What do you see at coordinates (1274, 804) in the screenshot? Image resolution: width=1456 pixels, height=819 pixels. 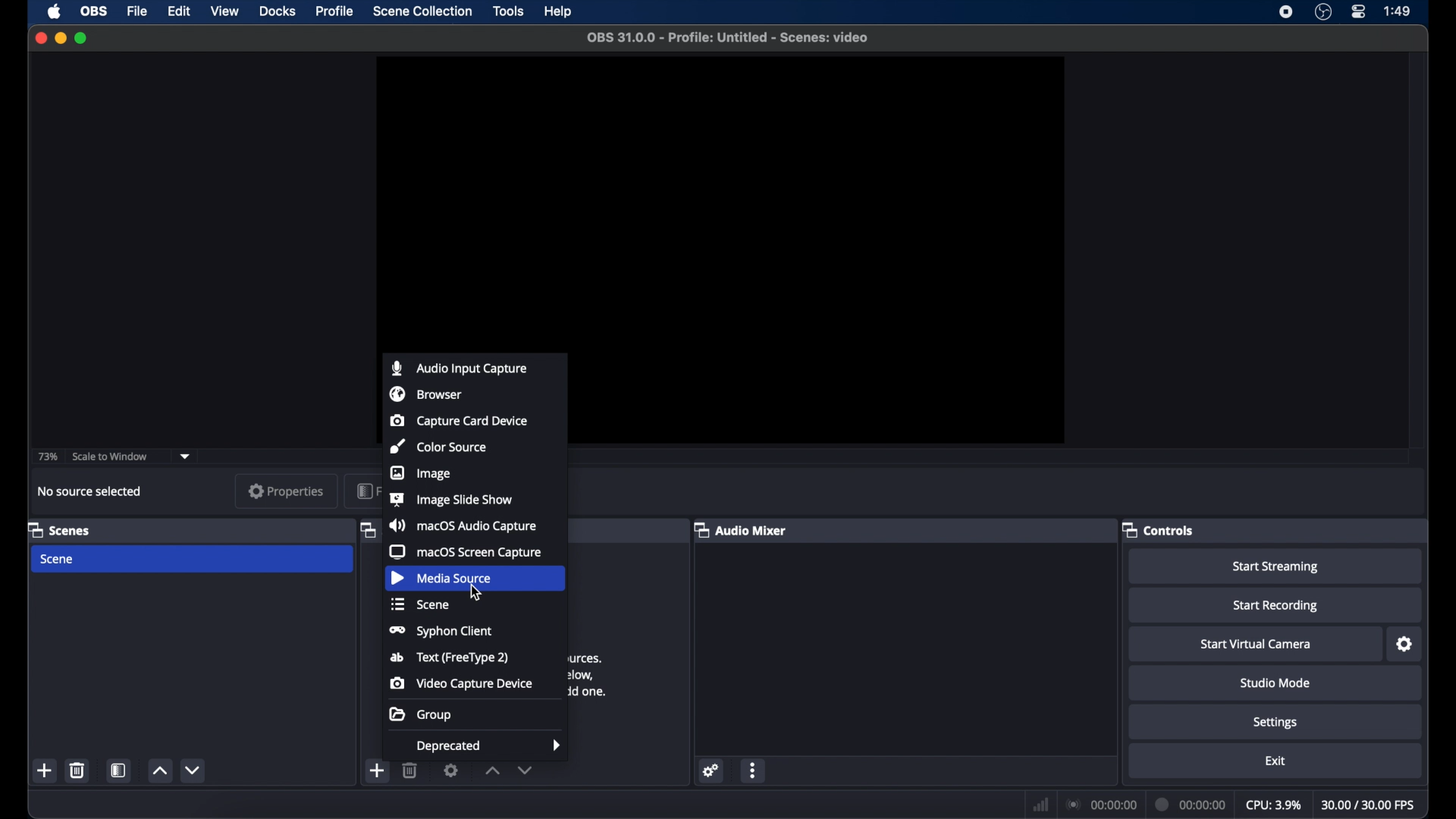 I see `` at bounding box center [1274, 804].